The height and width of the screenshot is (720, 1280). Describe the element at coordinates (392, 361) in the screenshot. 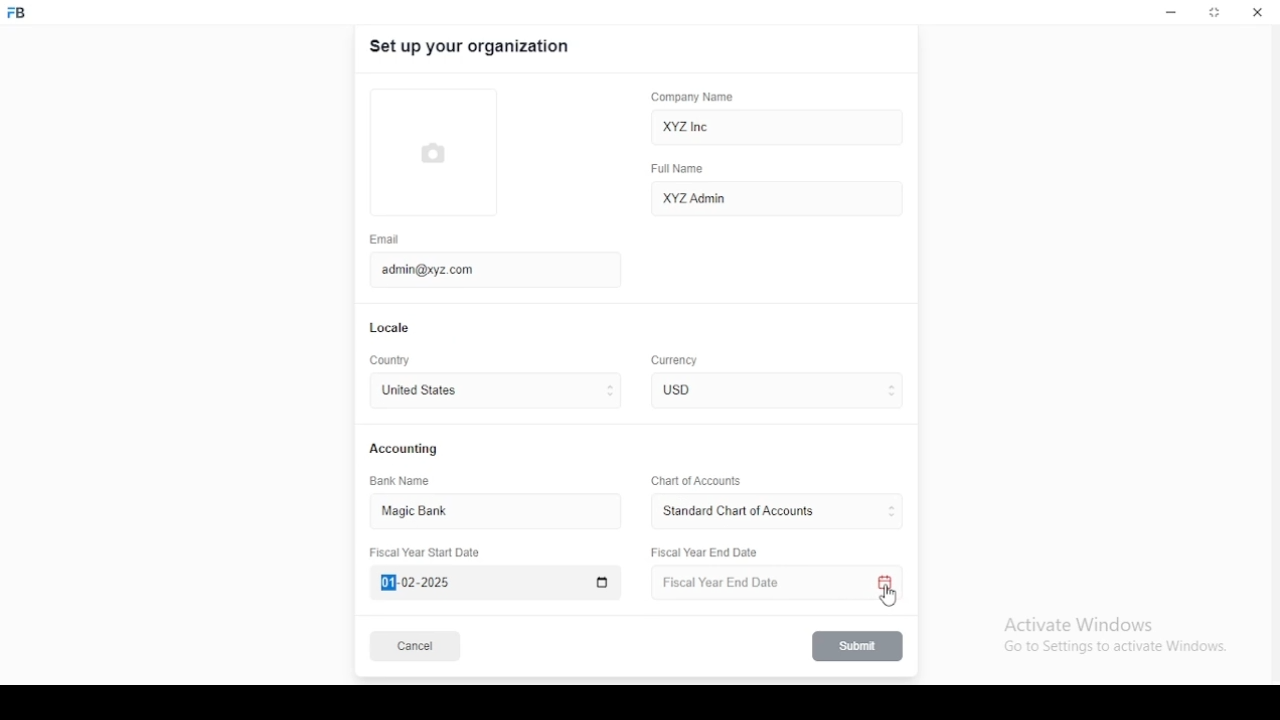

I see `country` at that location.